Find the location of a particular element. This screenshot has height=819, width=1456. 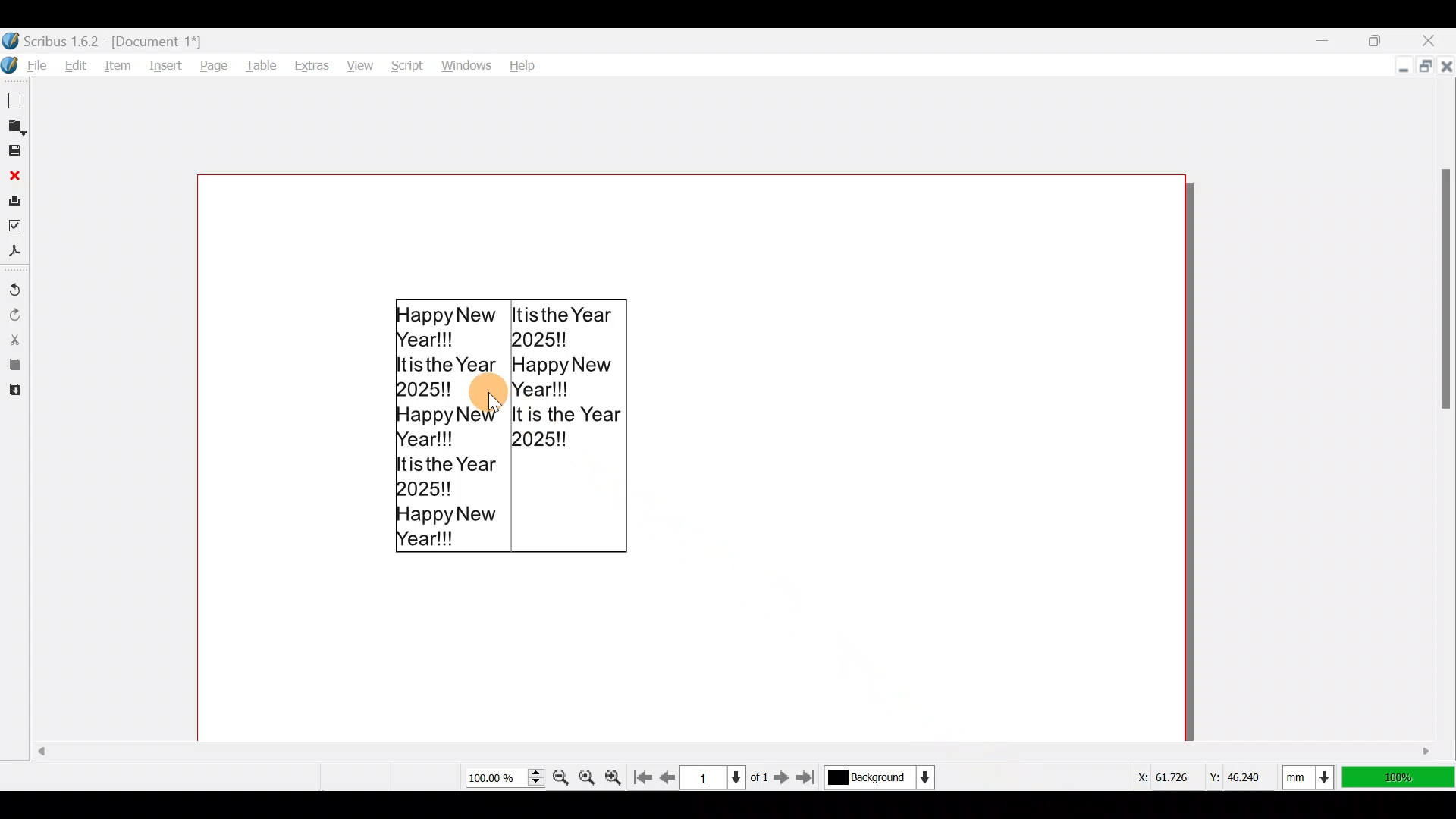

Close is located at coordinates (1436, 37).